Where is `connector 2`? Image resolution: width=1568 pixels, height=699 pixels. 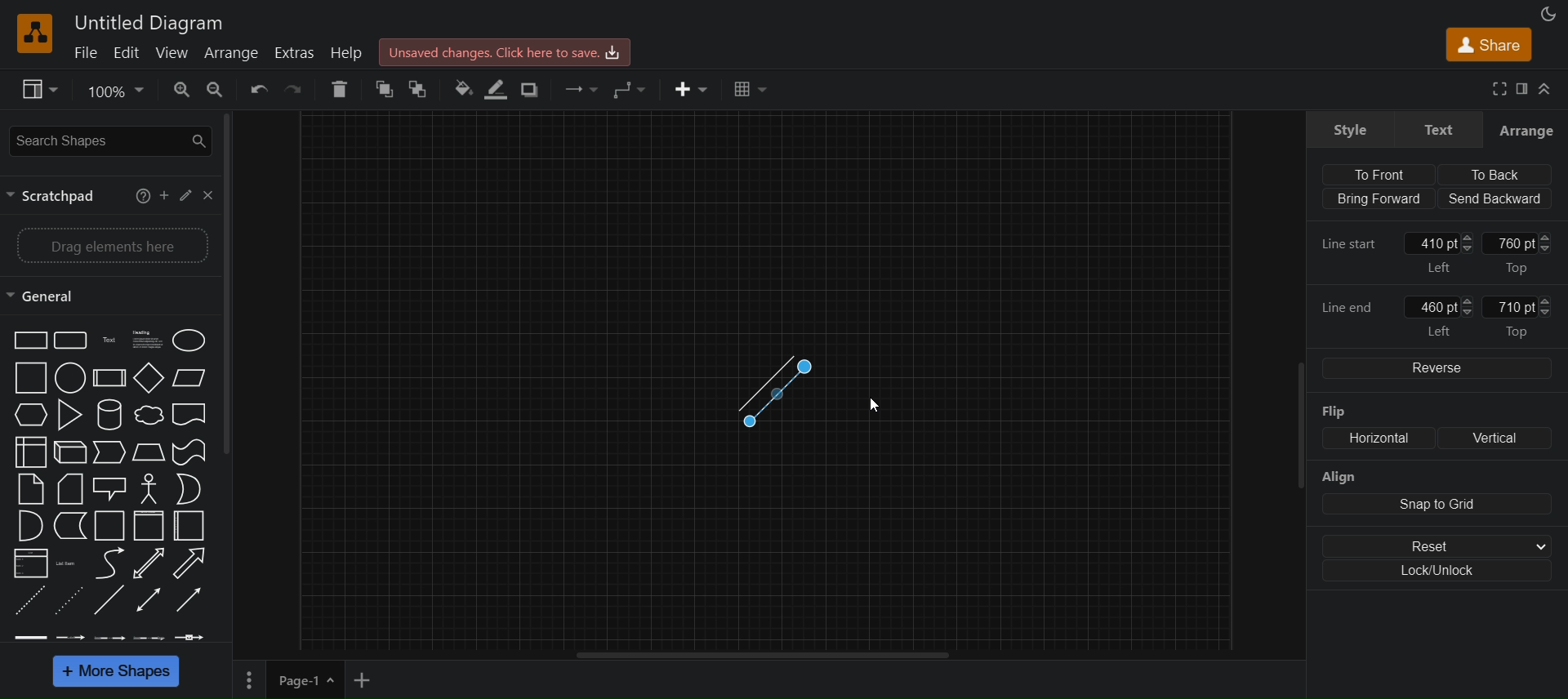 connector 2 is located at coordinates (72, 638).